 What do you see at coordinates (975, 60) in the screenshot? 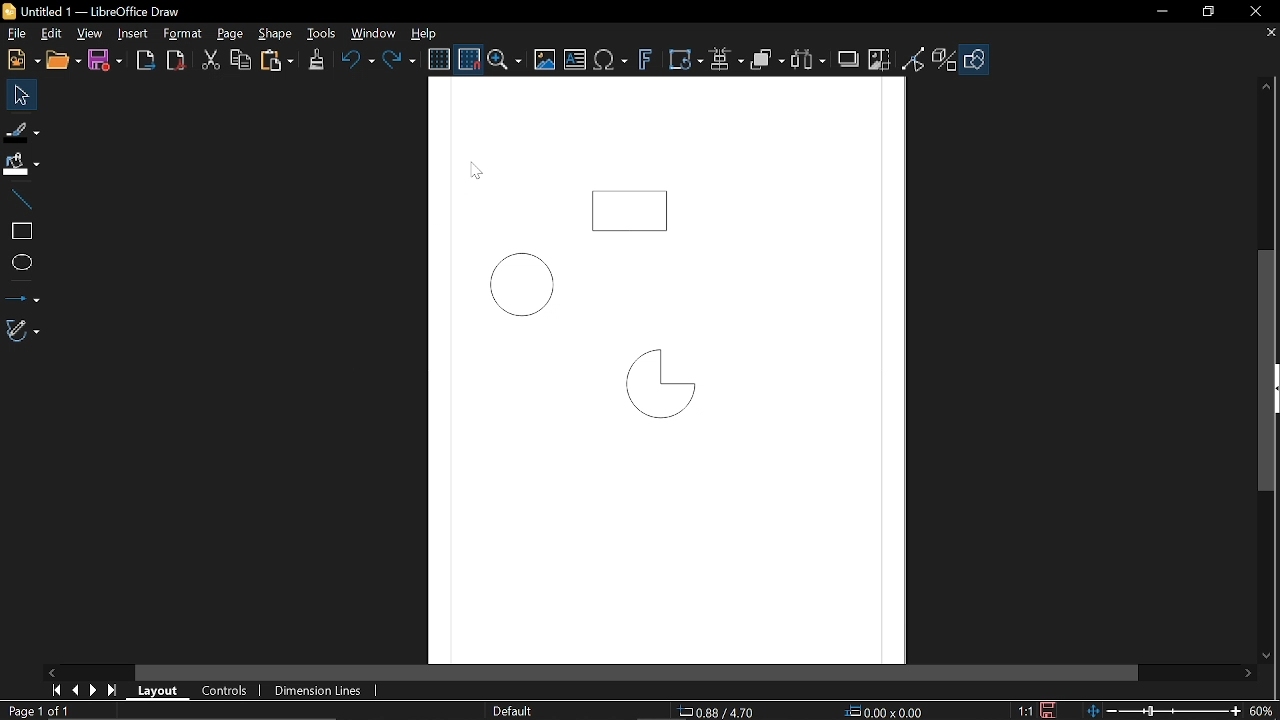
I see `Shapes` at bounding box center [975, 60].